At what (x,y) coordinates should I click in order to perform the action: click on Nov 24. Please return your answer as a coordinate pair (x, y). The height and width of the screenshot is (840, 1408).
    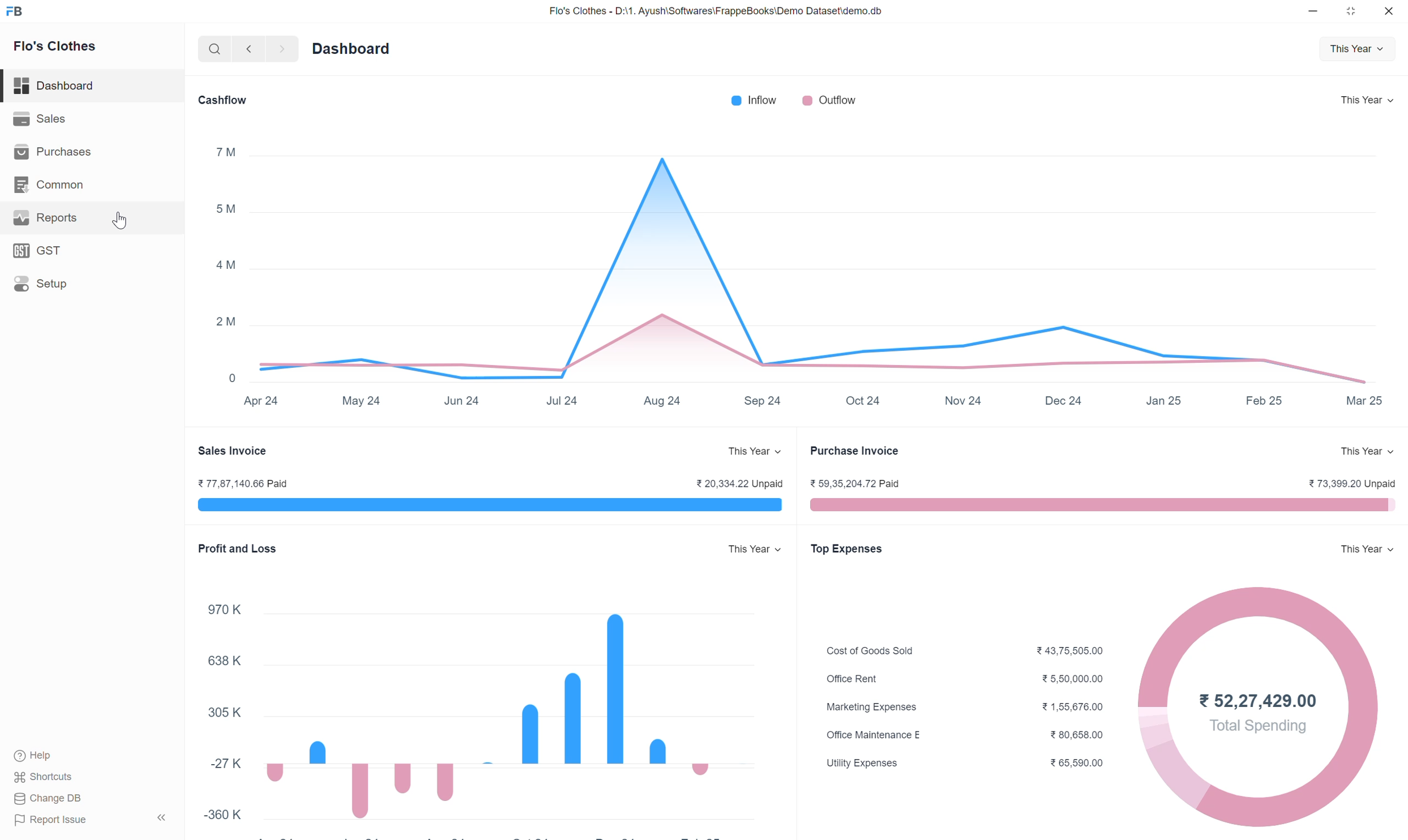
    Looking at the image, I should click on (965, 401).